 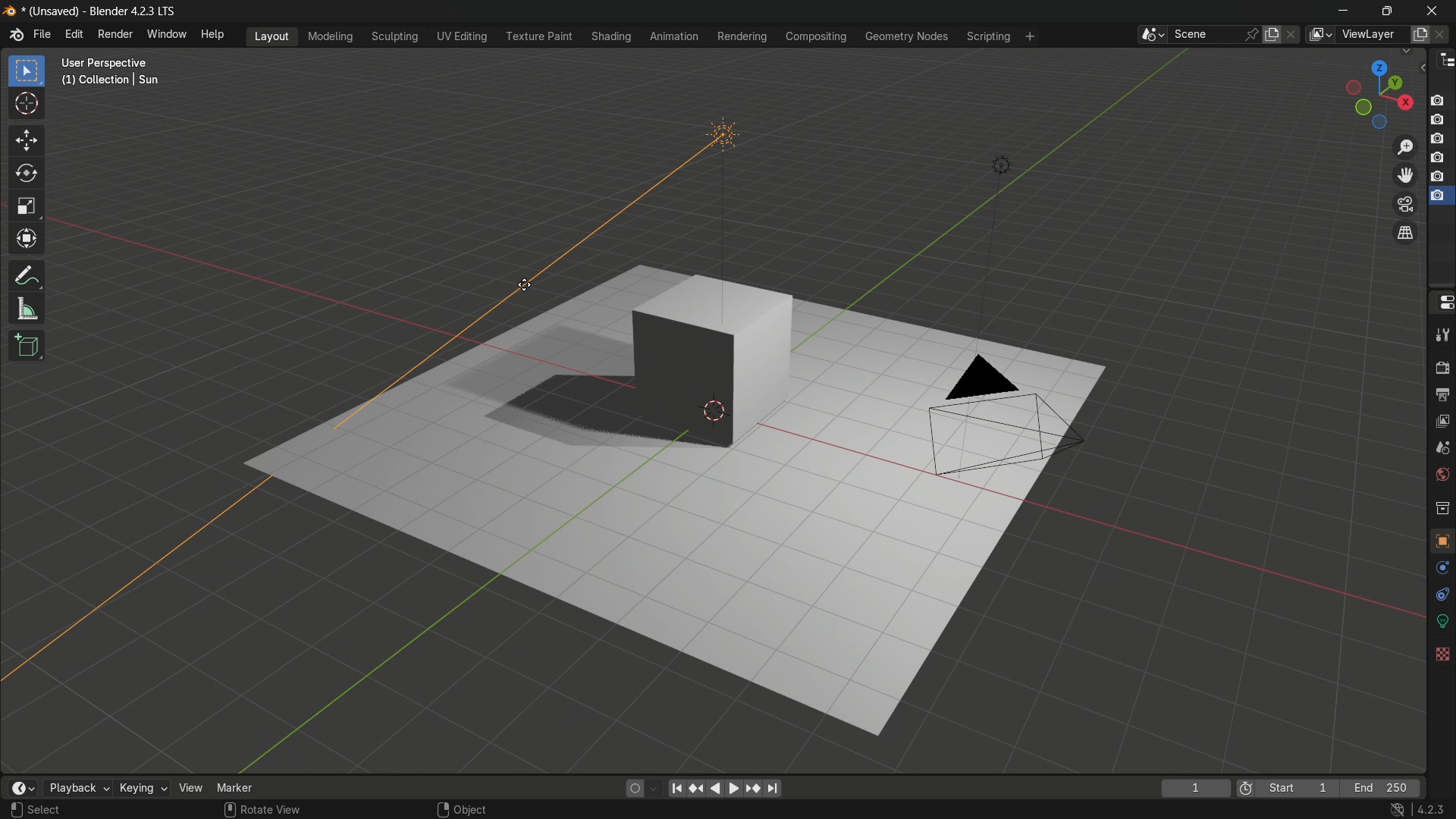 What do you see at coordinates (24, 787) in the screenshot?
I see `timeline` at bounding box center [24, 787].